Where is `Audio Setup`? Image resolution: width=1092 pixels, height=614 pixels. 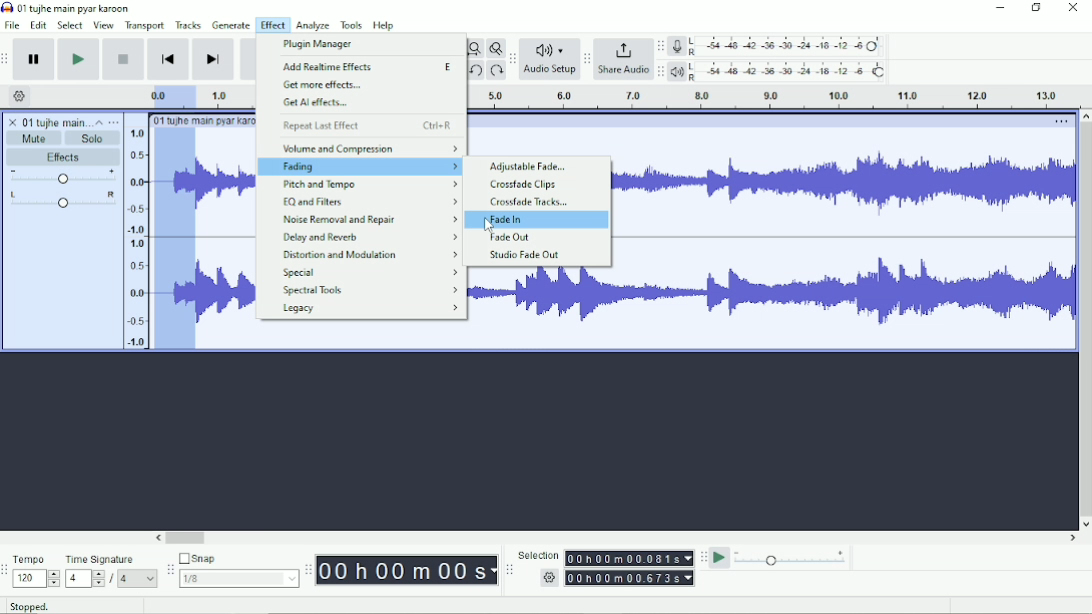 Audio Setup is located at coordinates (550, 72).